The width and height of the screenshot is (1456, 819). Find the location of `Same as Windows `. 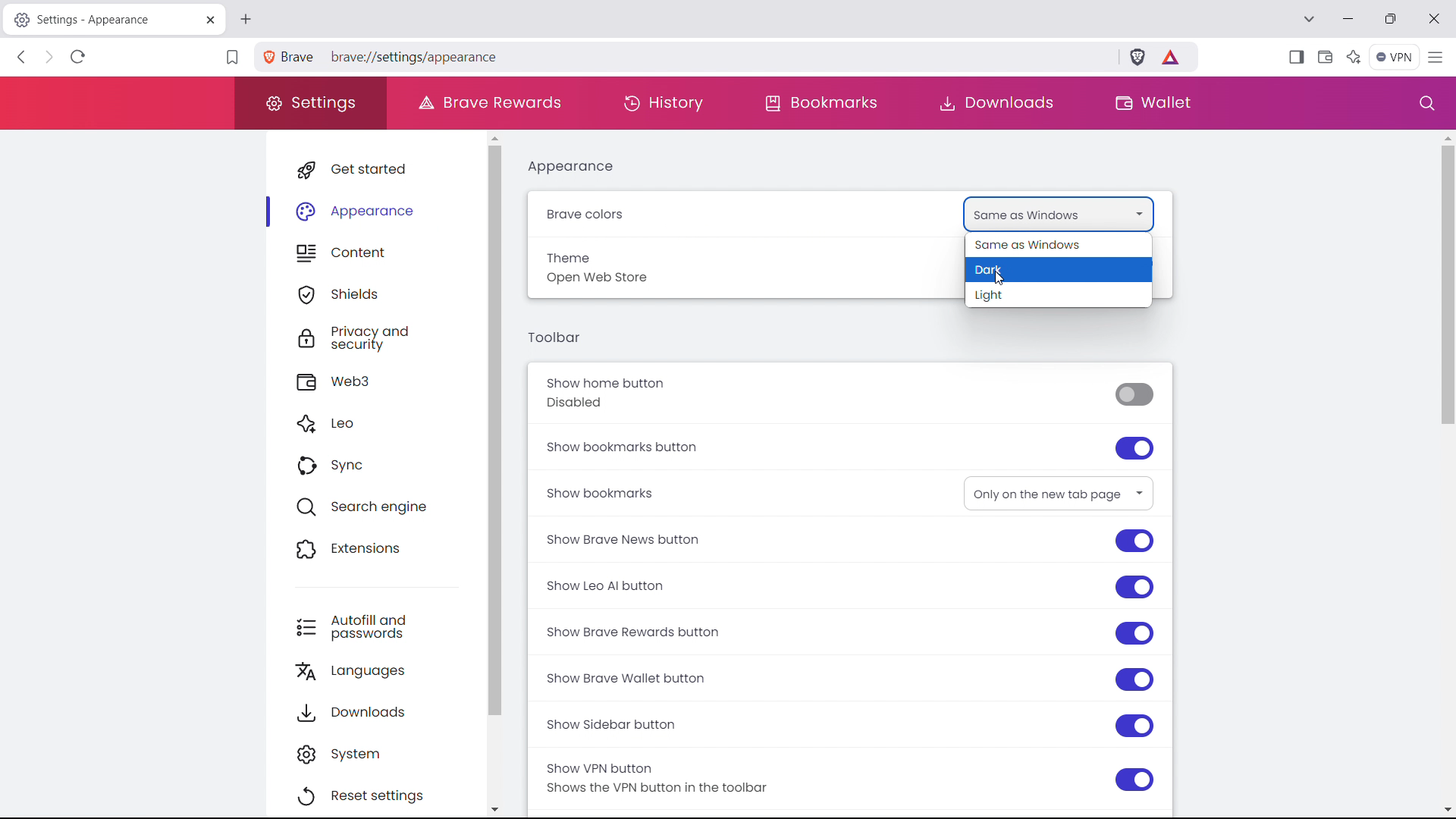

Same as Windows  is located at coordinates (1059, 212).